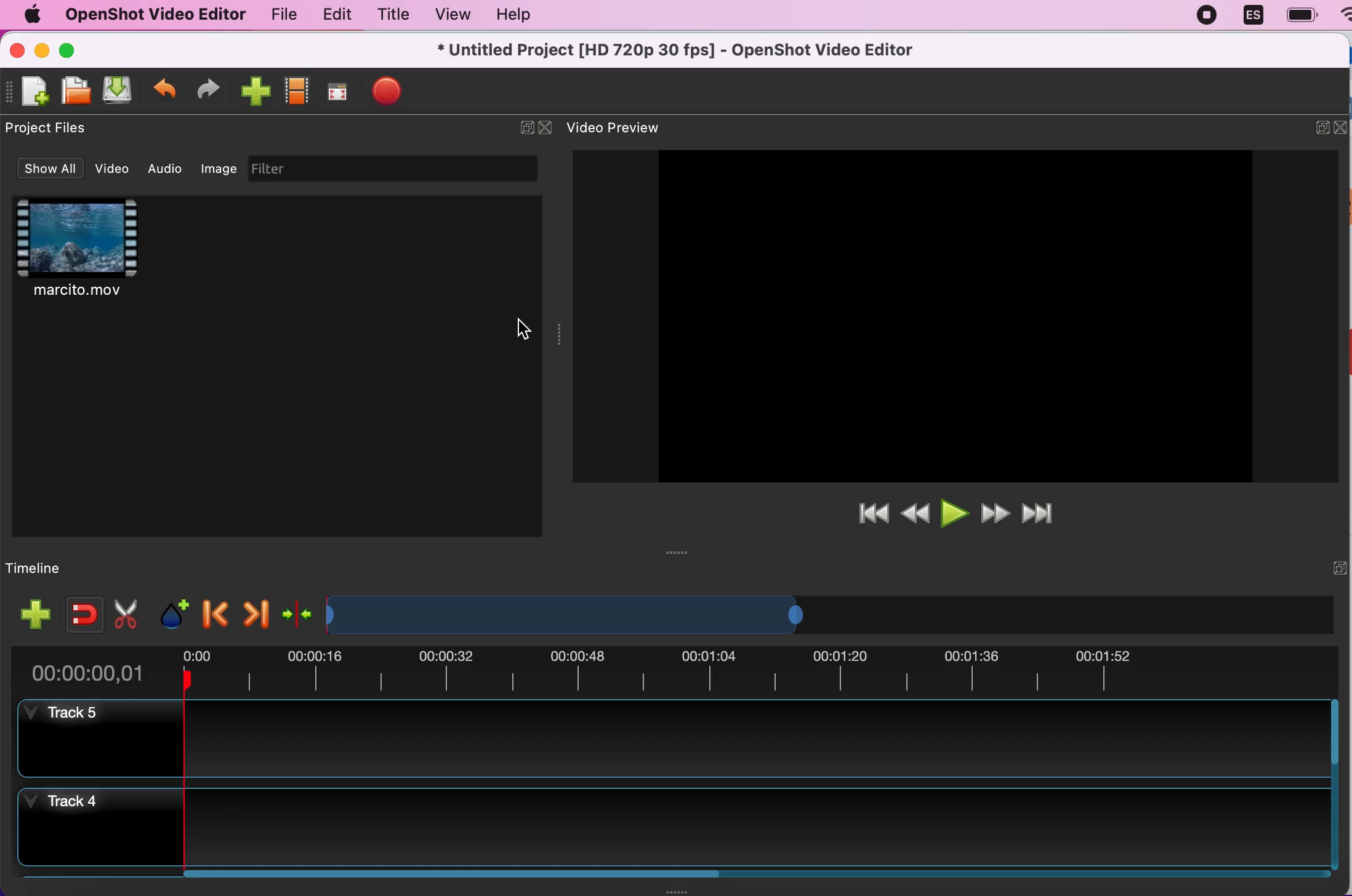 This screenshot has height=896, width=1352. I want to click on undo, so click(166, 92).